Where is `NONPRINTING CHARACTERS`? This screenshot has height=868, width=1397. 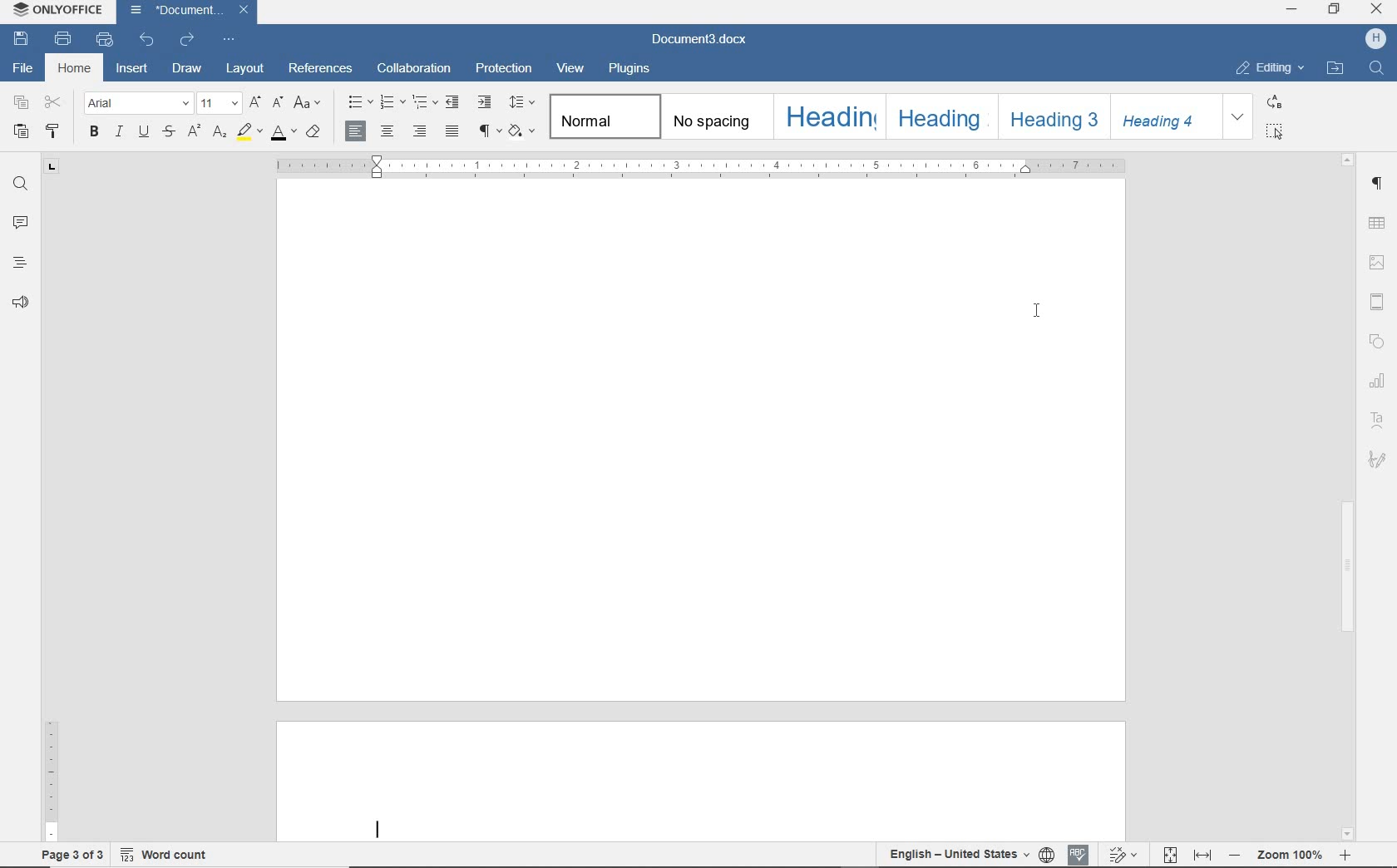
NONPRINTING CHARACTERS is located at coordinates (486, 130).